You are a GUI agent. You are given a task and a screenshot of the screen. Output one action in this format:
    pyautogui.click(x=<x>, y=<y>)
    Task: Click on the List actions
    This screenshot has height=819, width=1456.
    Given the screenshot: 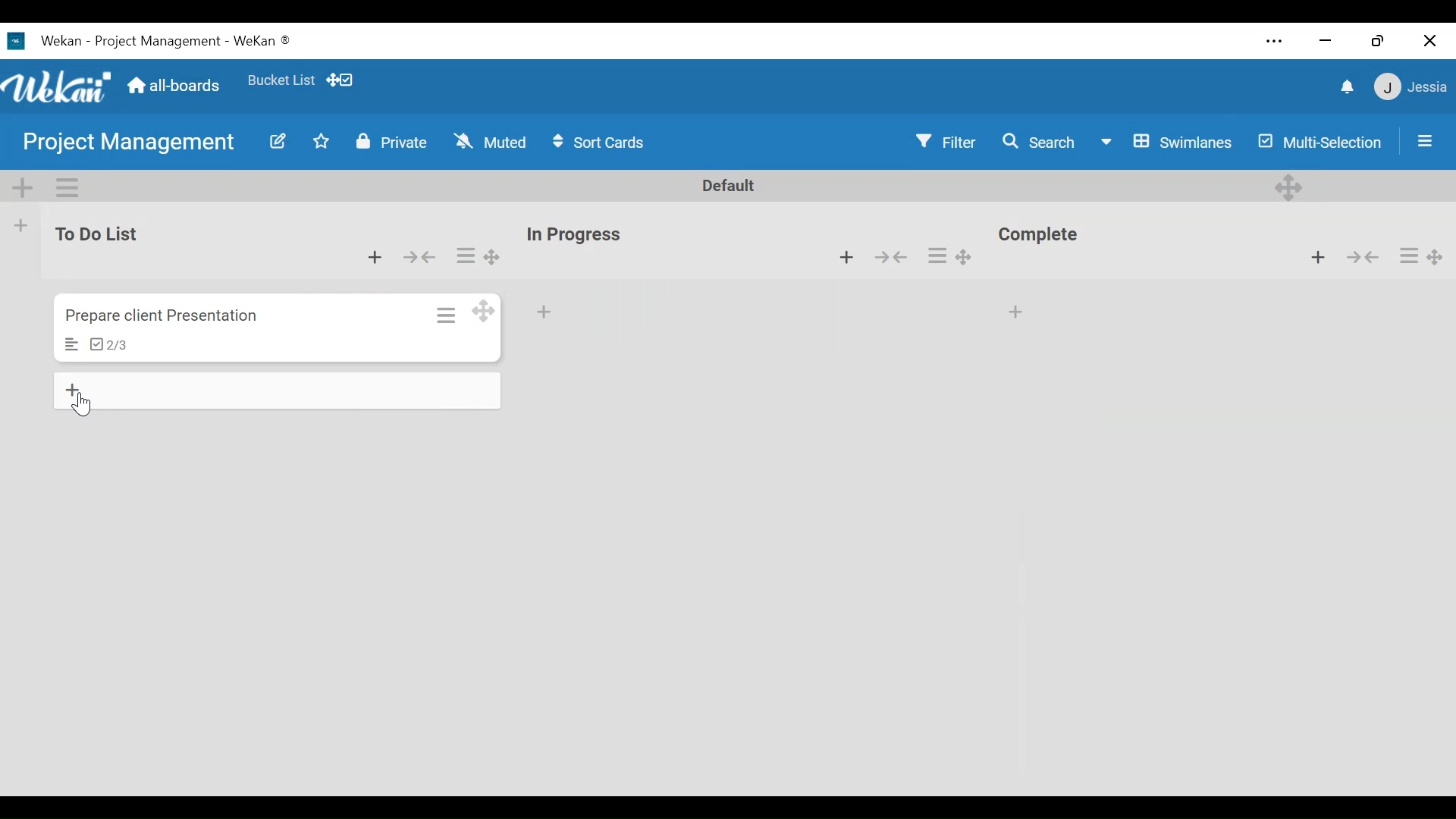 What is the action you would take?
    pyautogui.click(x=66, y=186)
    